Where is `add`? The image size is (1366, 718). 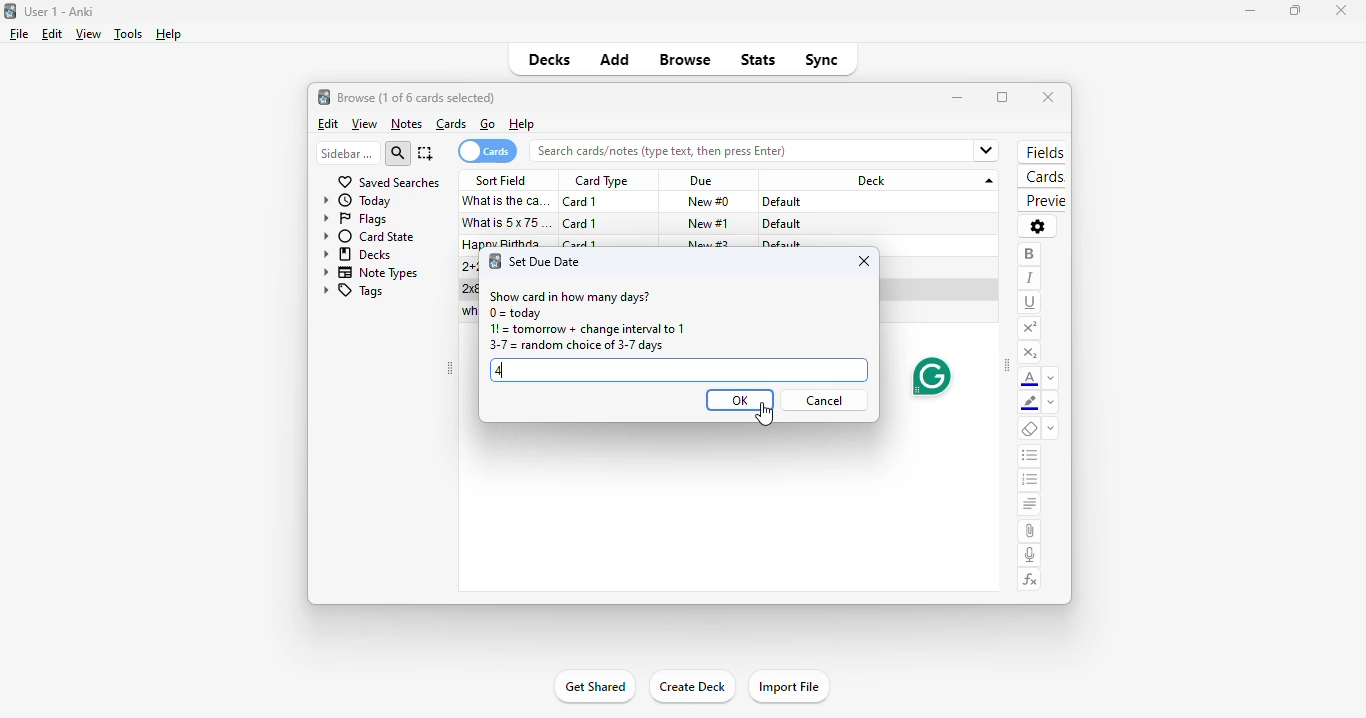 add is located at coordinates (614, 61).